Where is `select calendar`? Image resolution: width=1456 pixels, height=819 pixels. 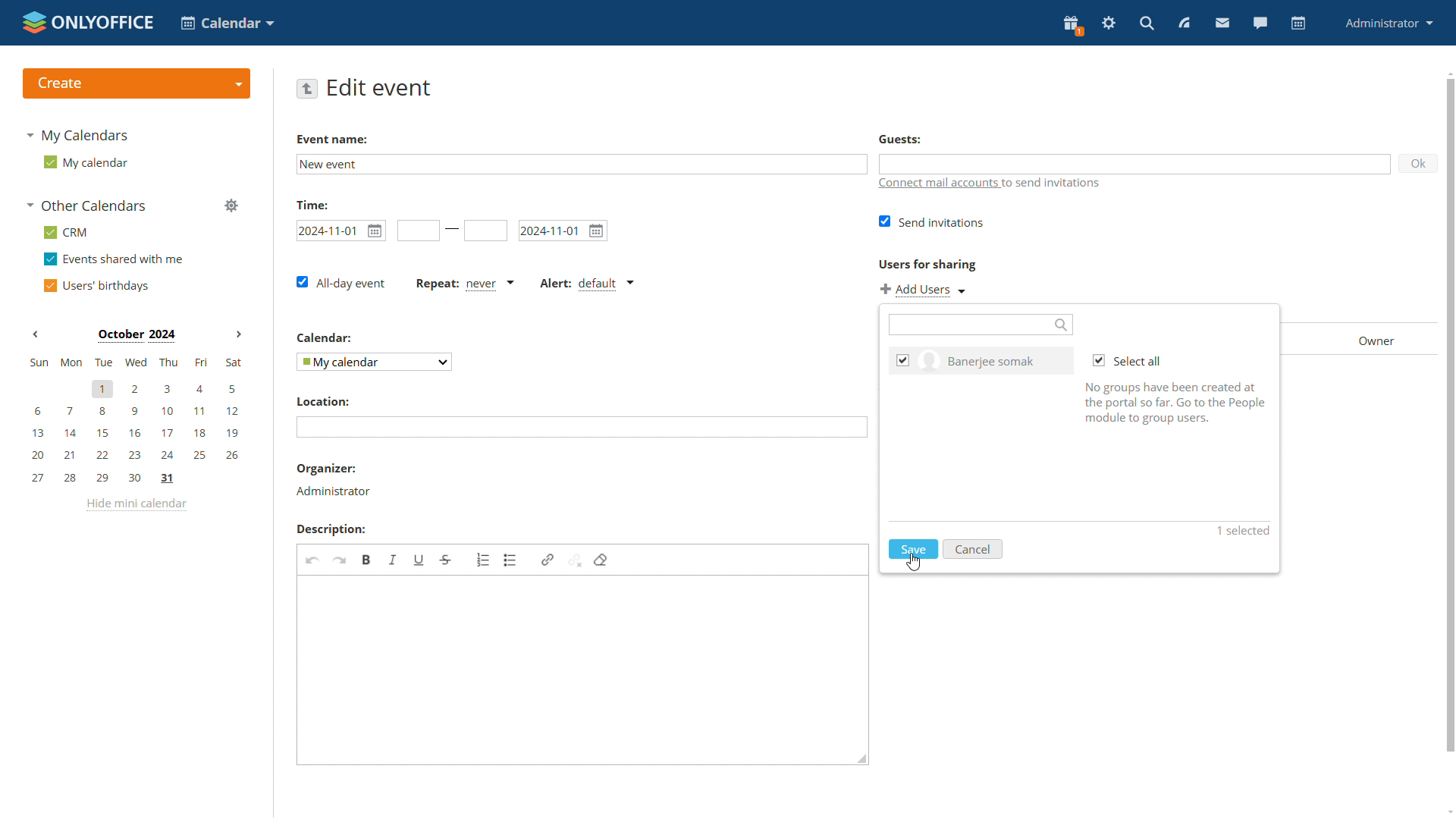
select calendar is located at coordinates (374, 362).